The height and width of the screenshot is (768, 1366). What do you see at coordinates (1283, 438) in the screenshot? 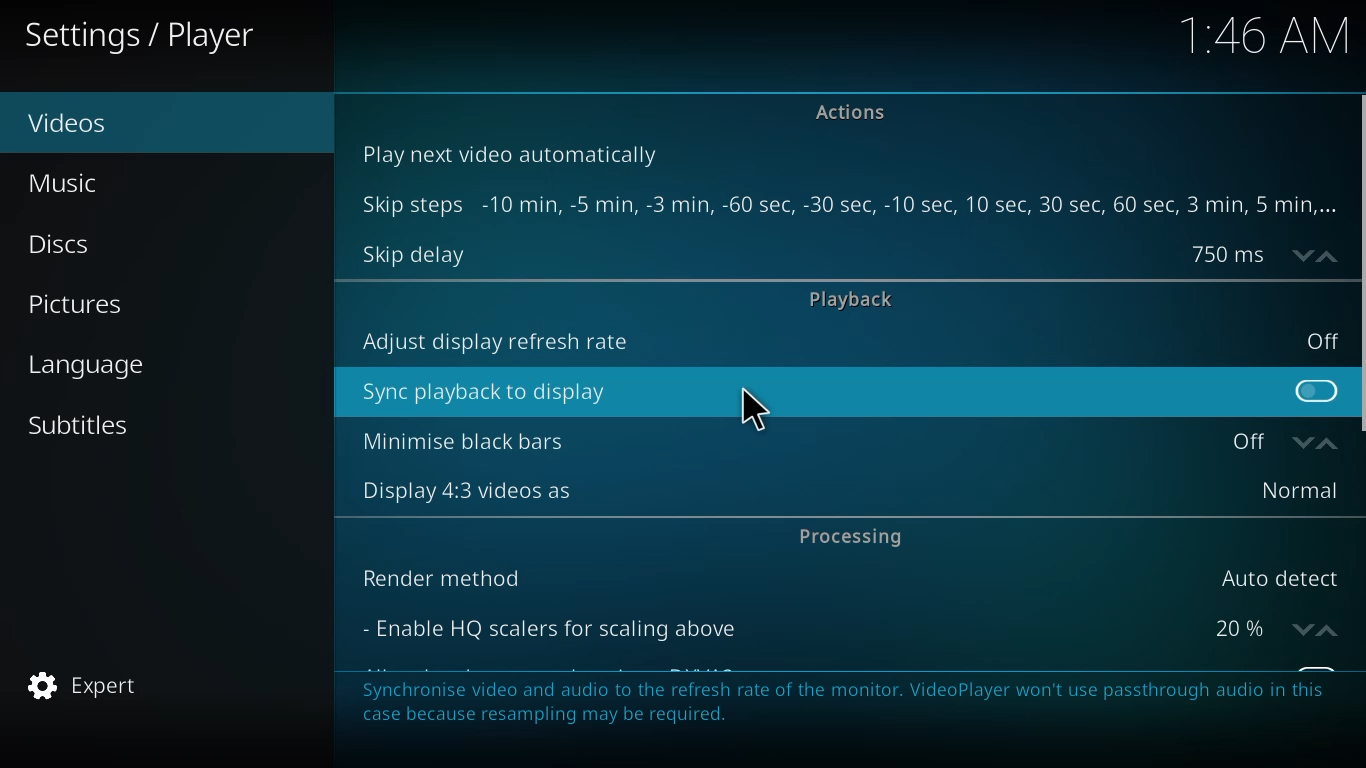
I see `off` at bounding box center [1283, 438].